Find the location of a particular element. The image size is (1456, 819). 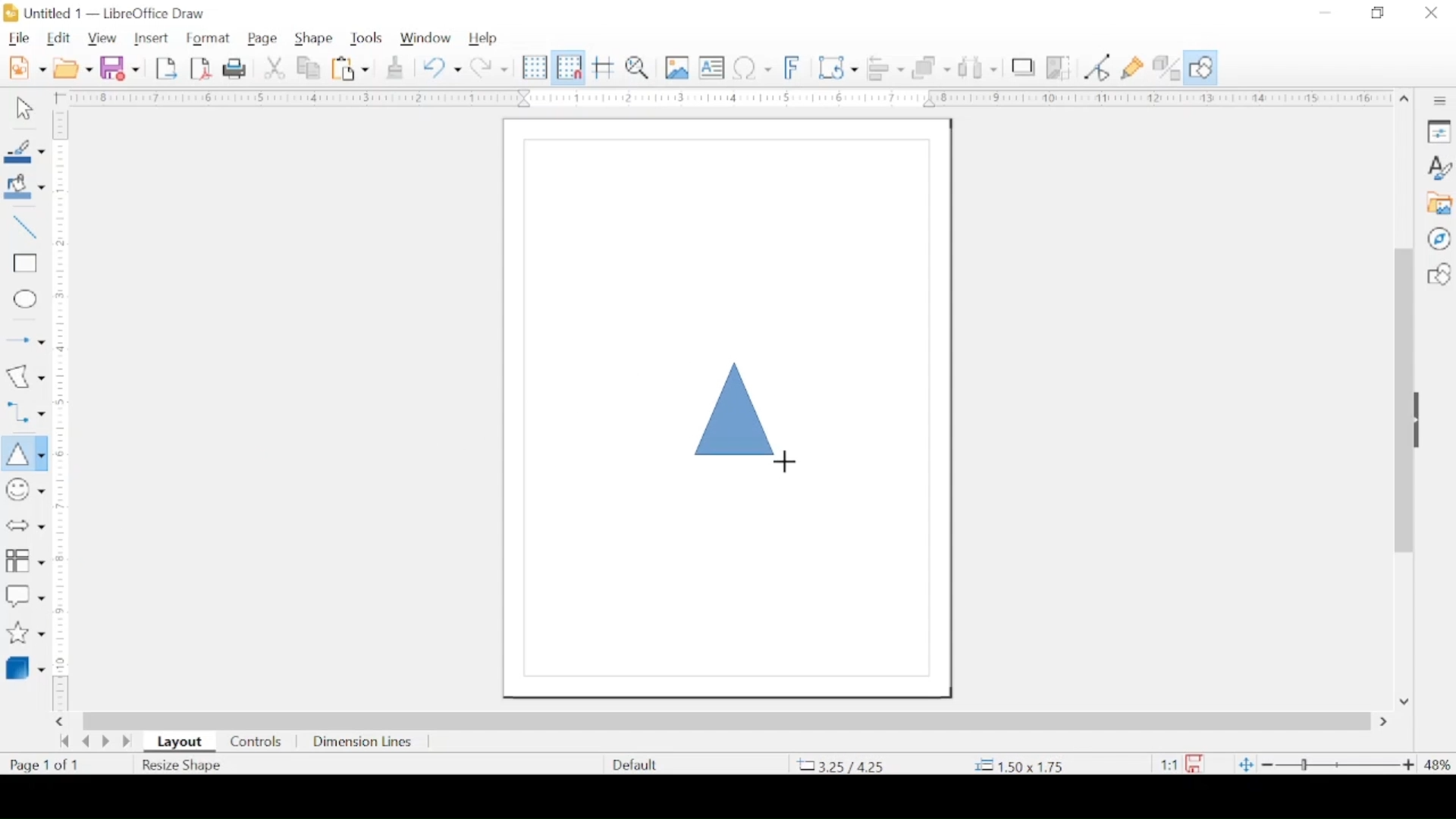

this document has been modified is located at coordinates (1178, 761).